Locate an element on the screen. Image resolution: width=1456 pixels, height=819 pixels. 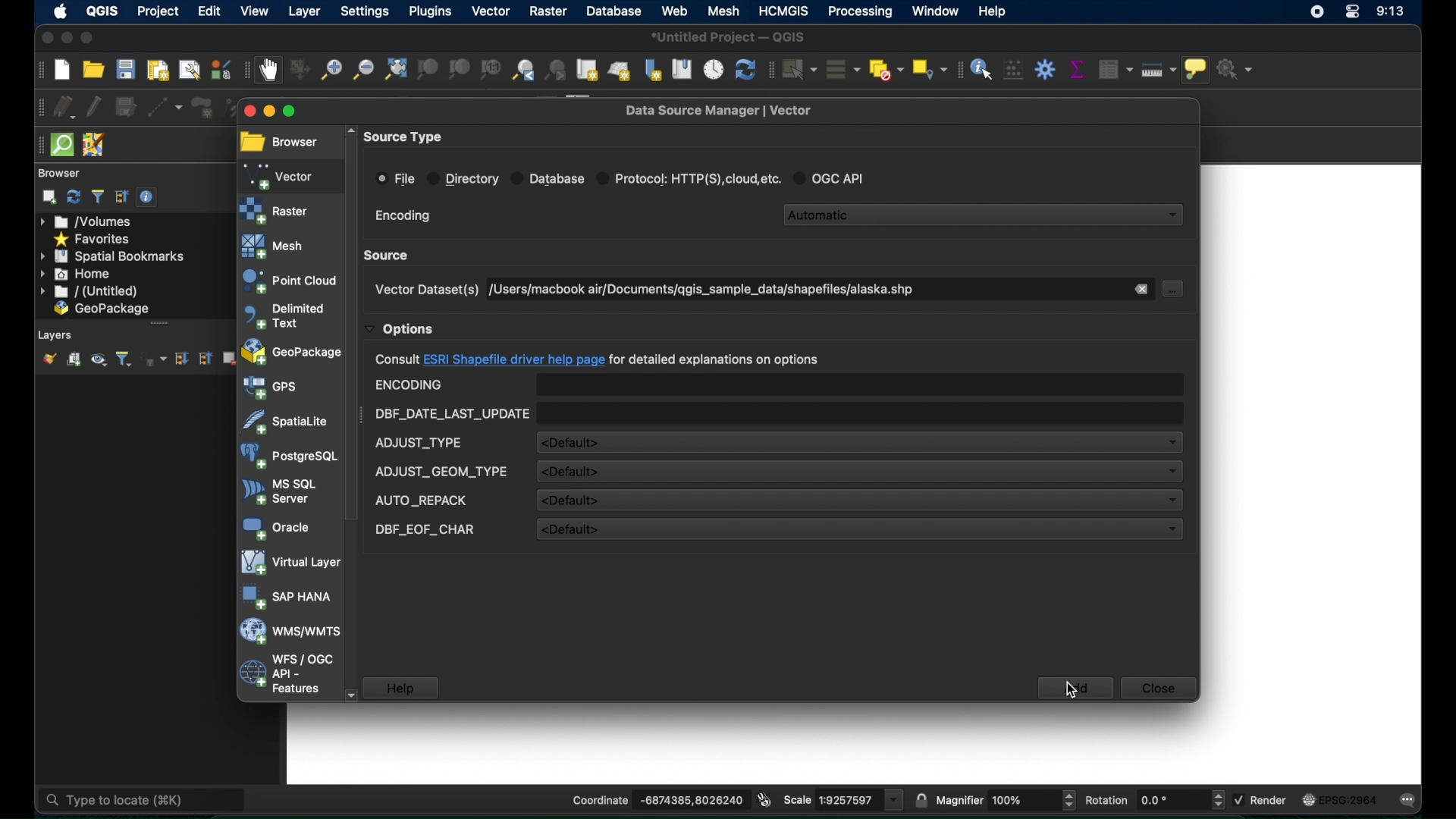
new spatial bookmarks is located at coordinates (652, 69).